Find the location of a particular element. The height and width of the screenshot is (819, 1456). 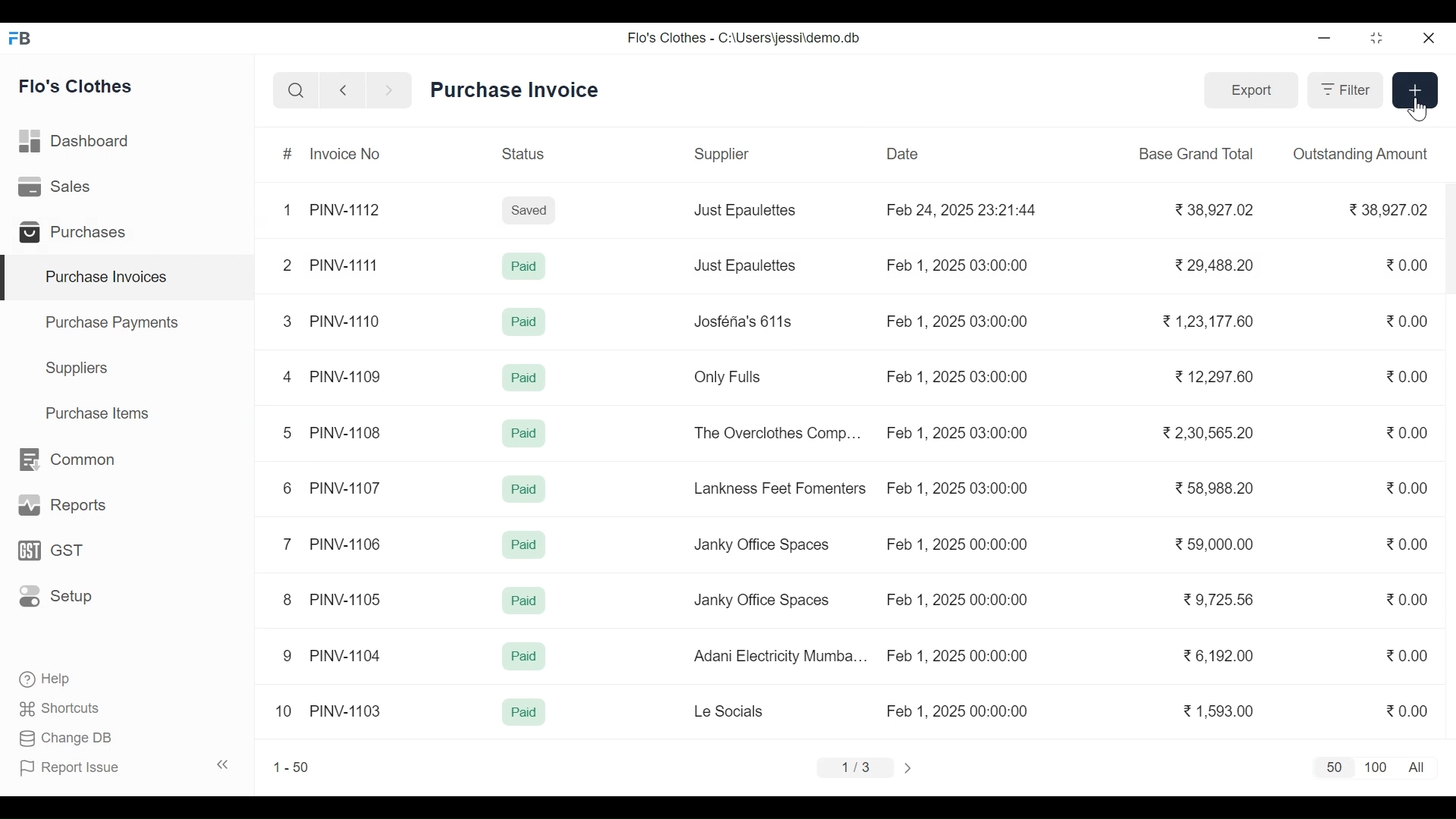

Janky Office Spaces is located at coordinates (762, 600).